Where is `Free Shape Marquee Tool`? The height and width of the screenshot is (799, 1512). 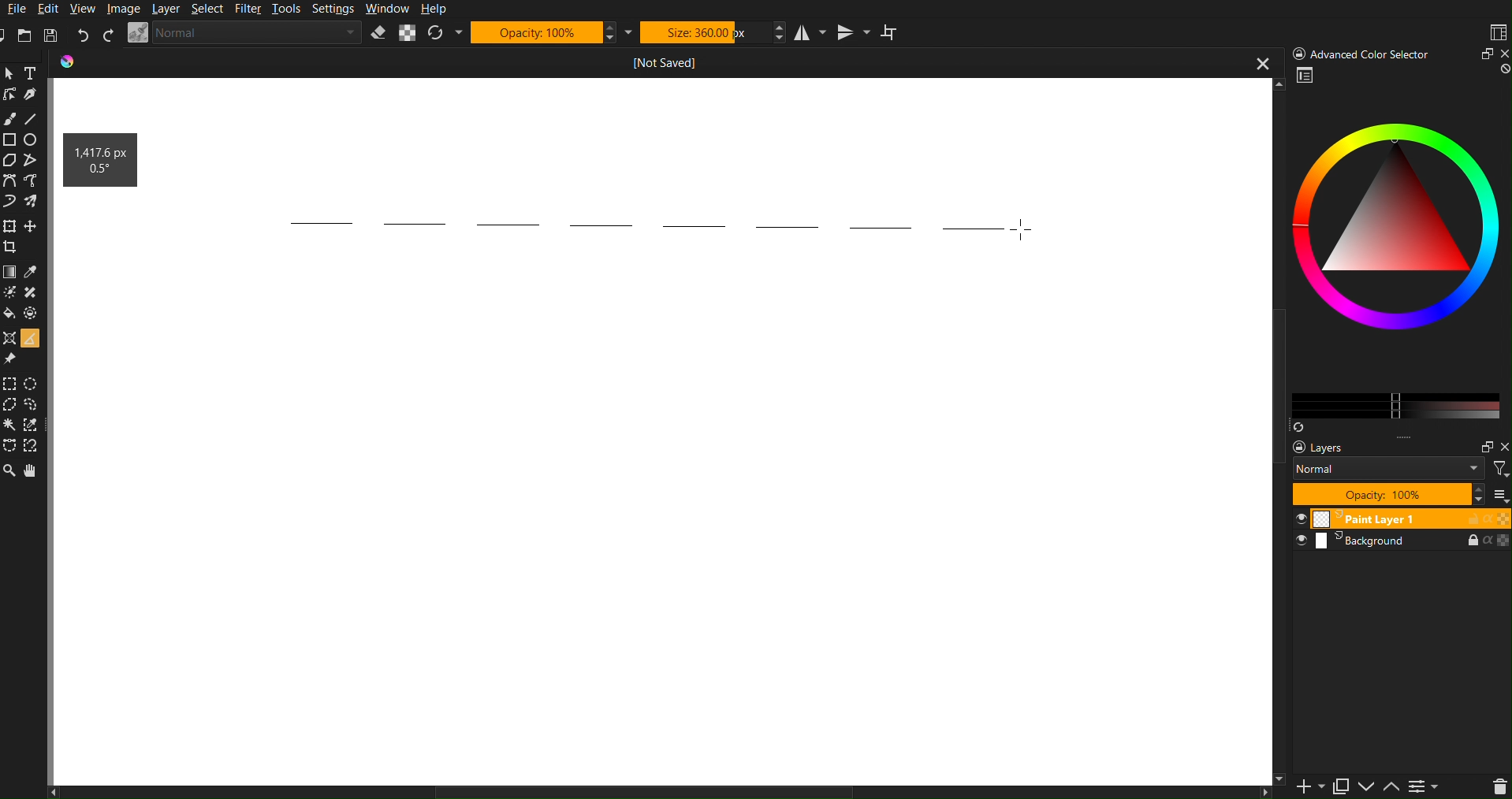 Free Shape Marquee Tool is located at coordinates (34, 405).